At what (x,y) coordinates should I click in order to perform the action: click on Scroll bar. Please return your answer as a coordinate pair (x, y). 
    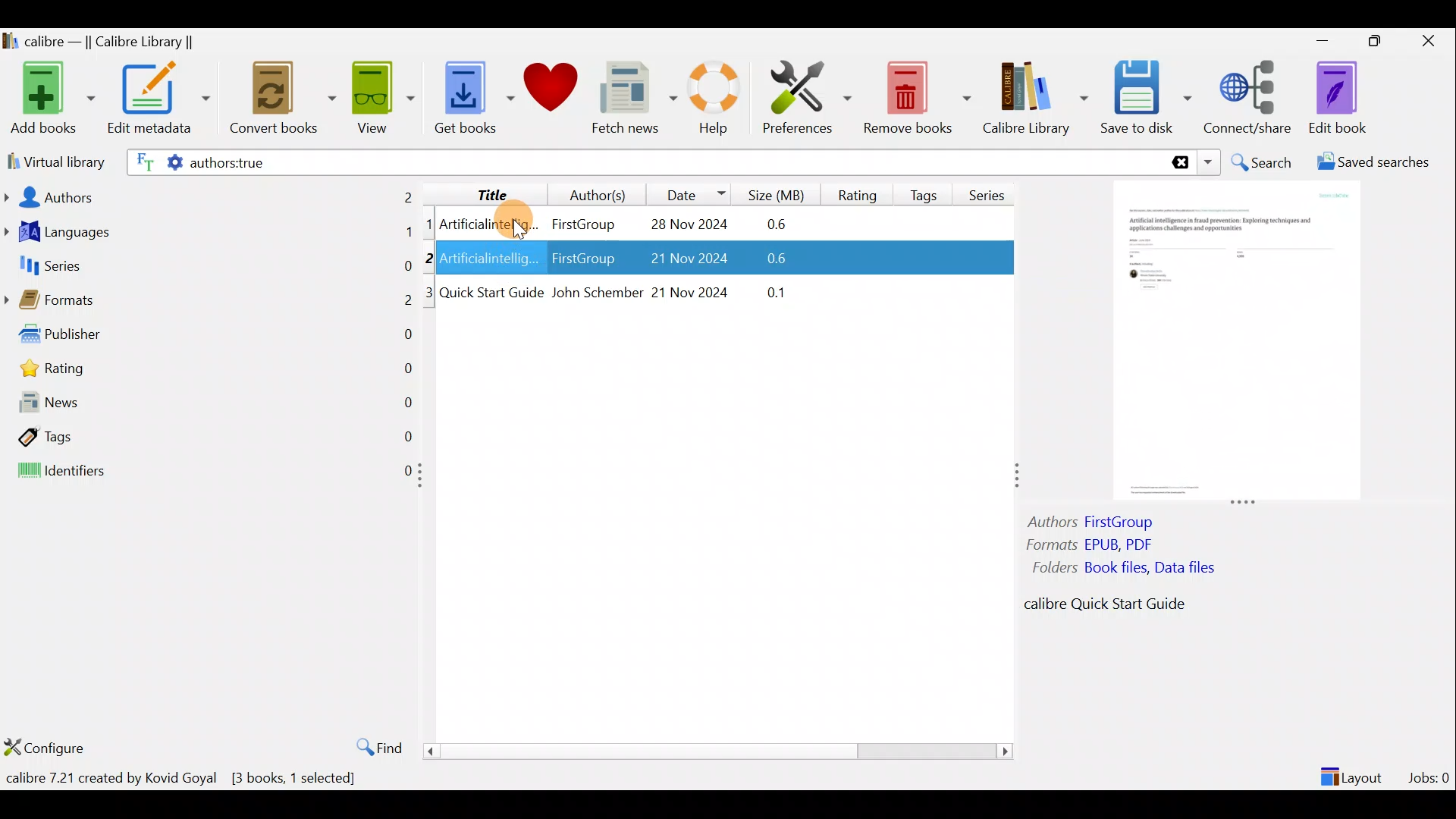
    Looking at the image, I should click on (712, 751).